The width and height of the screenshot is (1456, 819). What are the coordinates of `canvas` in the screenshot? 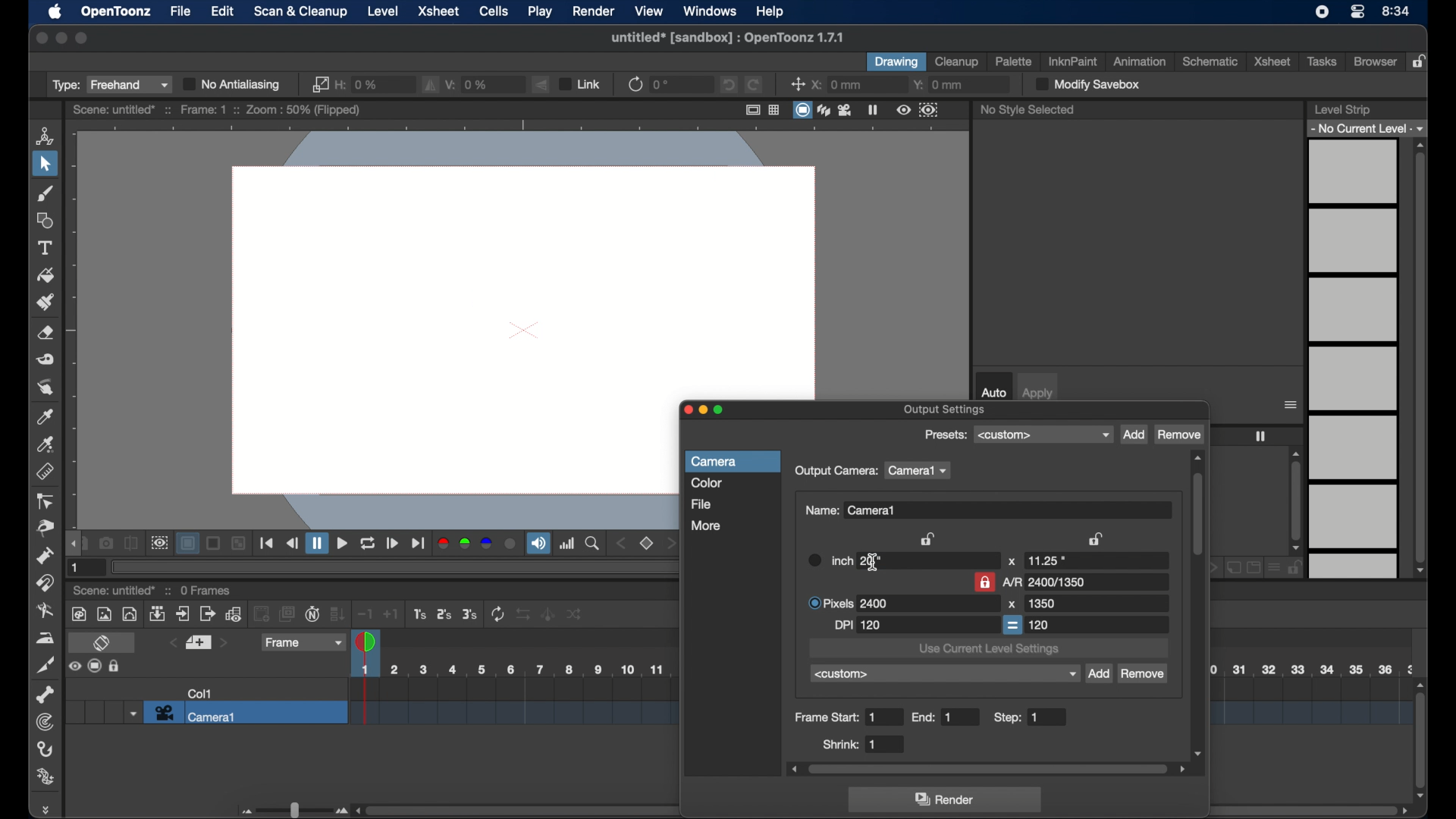 It's located at (544, 269).